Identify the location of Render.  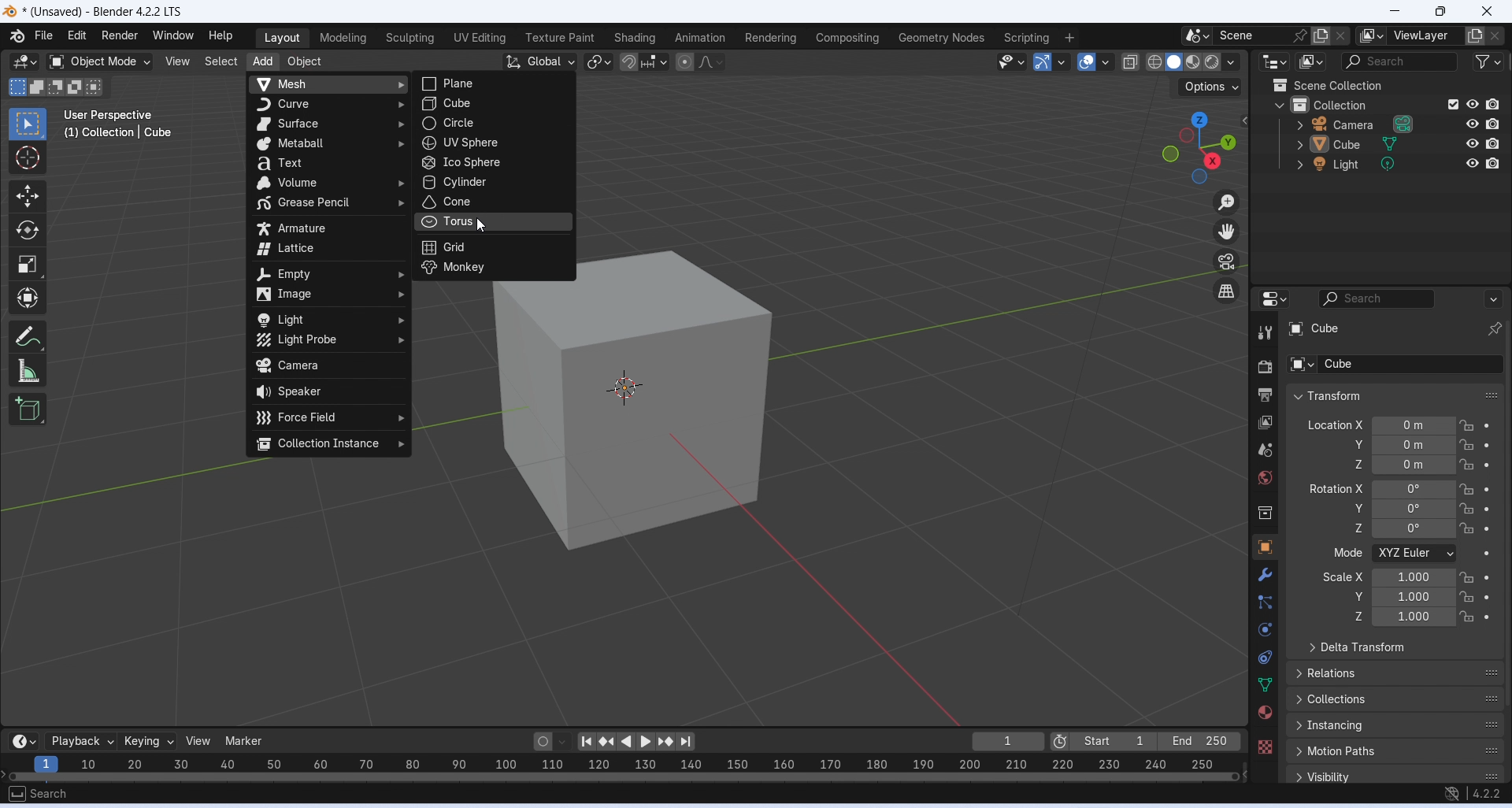
(1262, 367).